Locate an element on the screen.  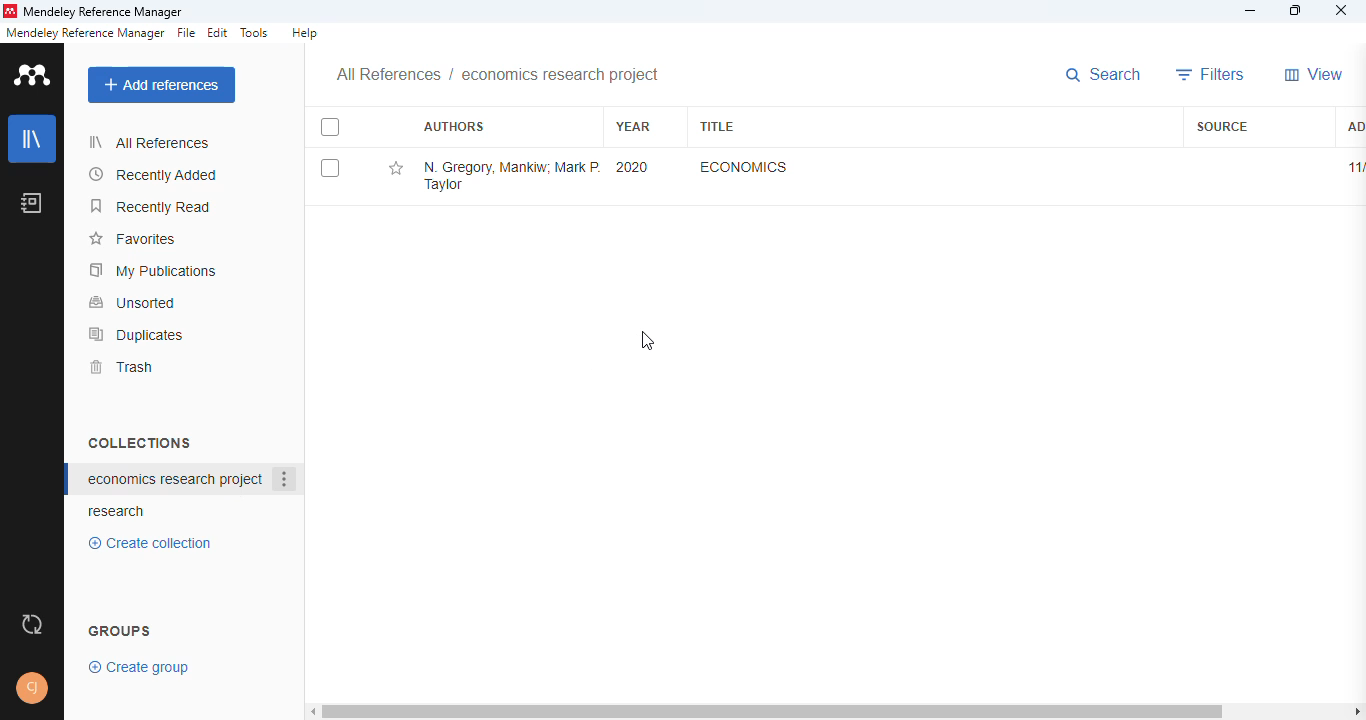
economics research project is located at coordinates (174, 479).